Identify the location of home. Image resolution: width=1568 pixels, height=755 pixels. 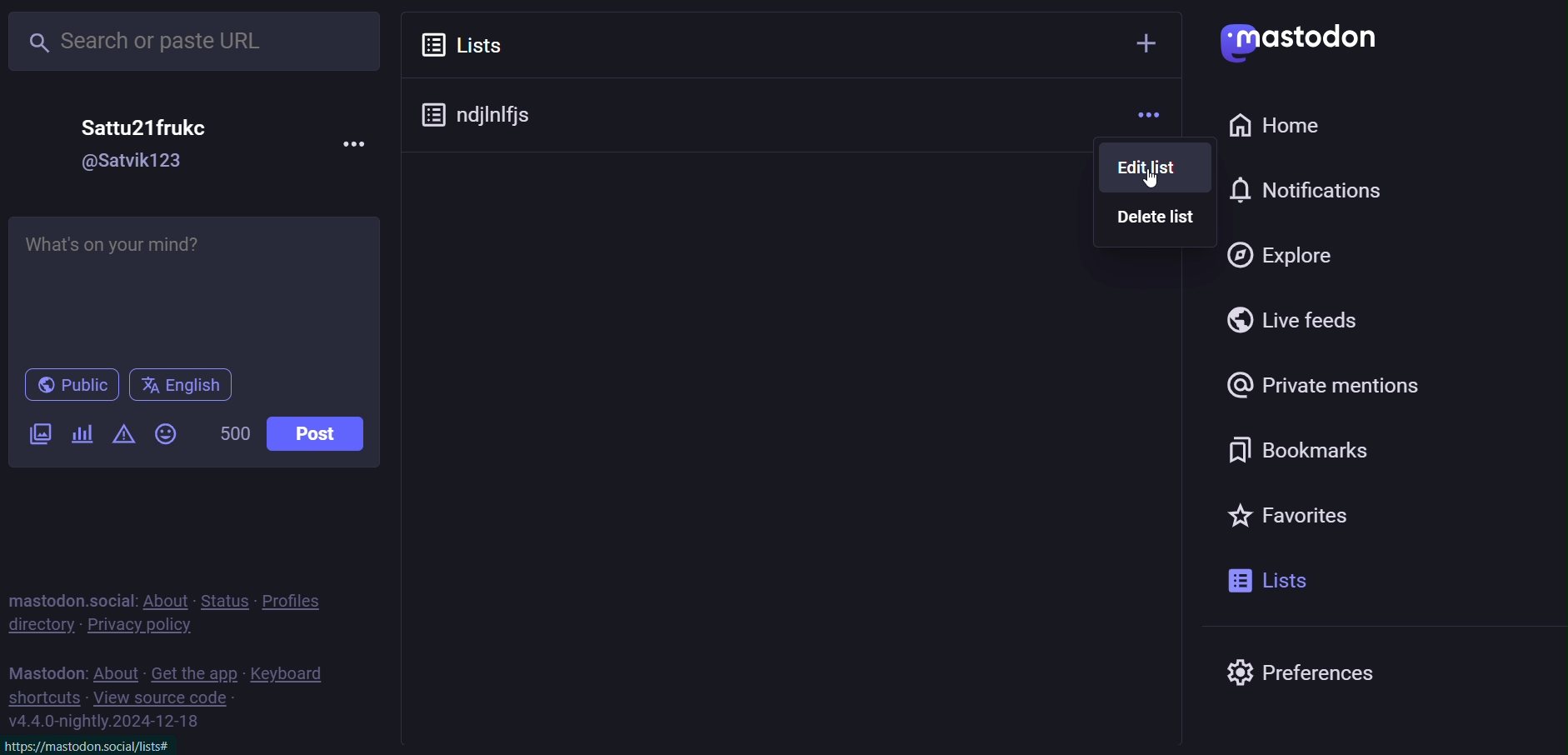
(1286, 127).